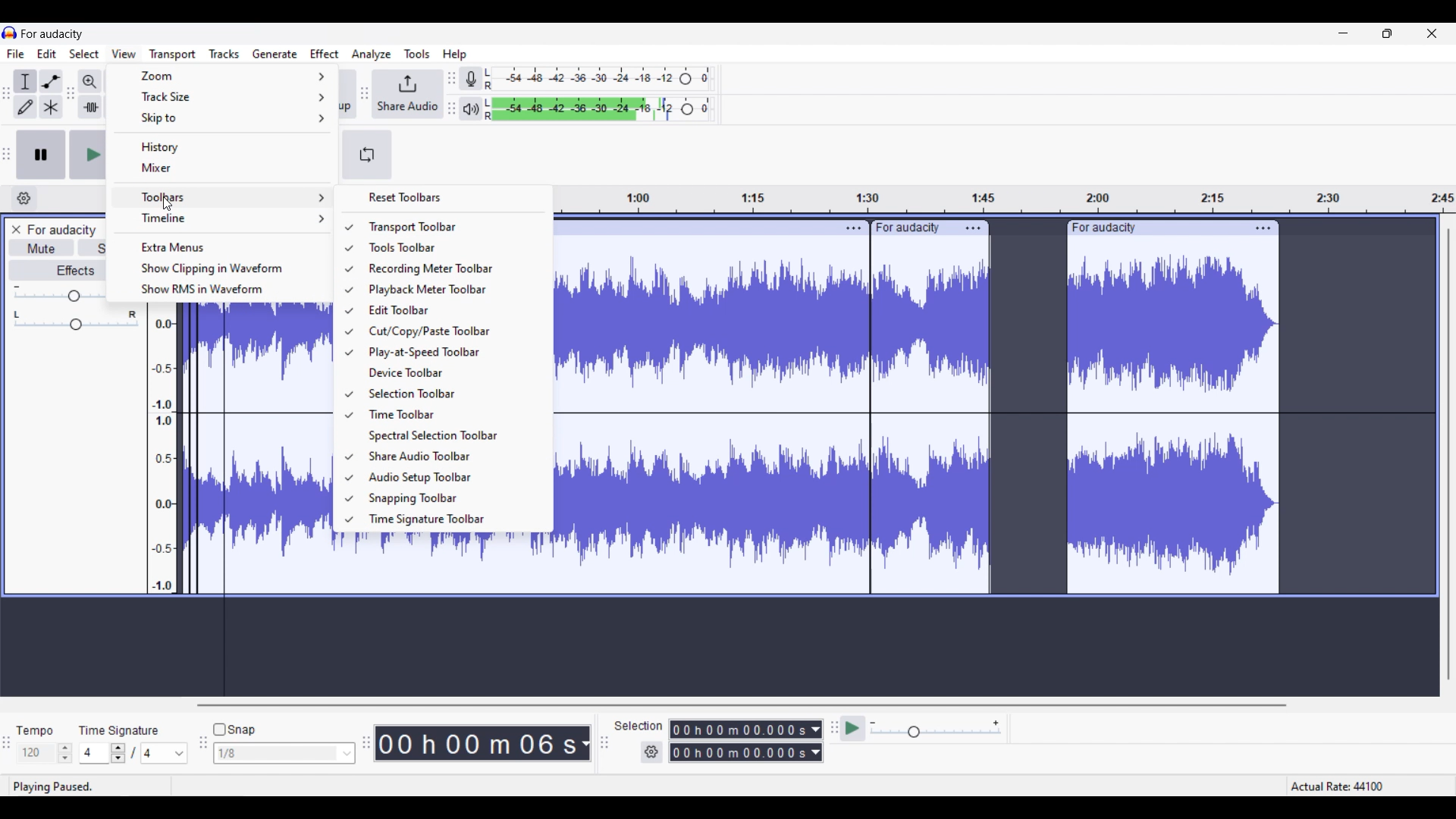 This screenshot has height=819, width=1456. What do you see at coordinates (450, 310) in the screenshot?
I see `Edit toolbar` at bounding box center [450, 310].